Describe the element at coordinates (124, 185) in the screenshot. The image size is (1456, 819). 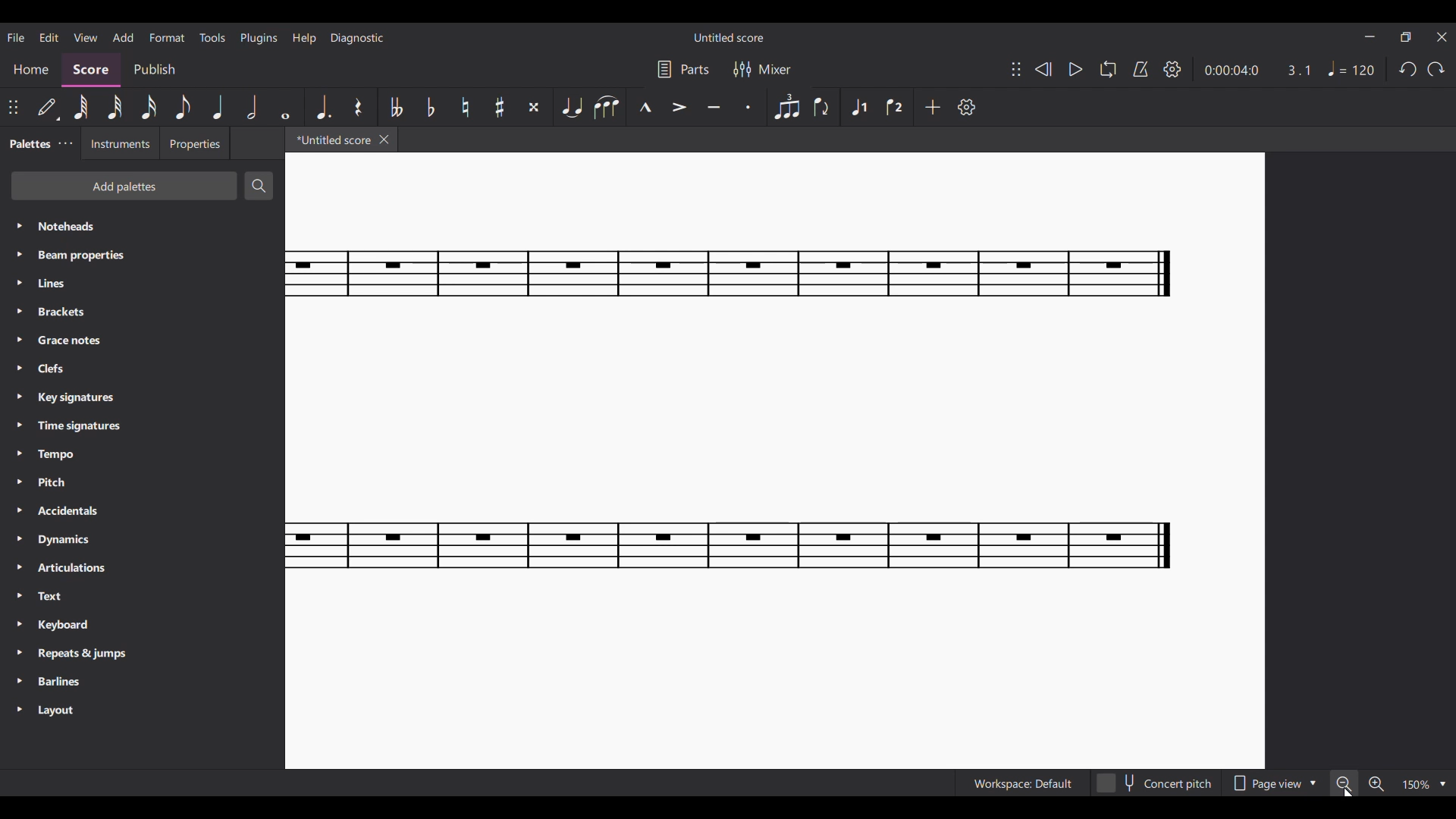
I see `Add palettes` at that location.